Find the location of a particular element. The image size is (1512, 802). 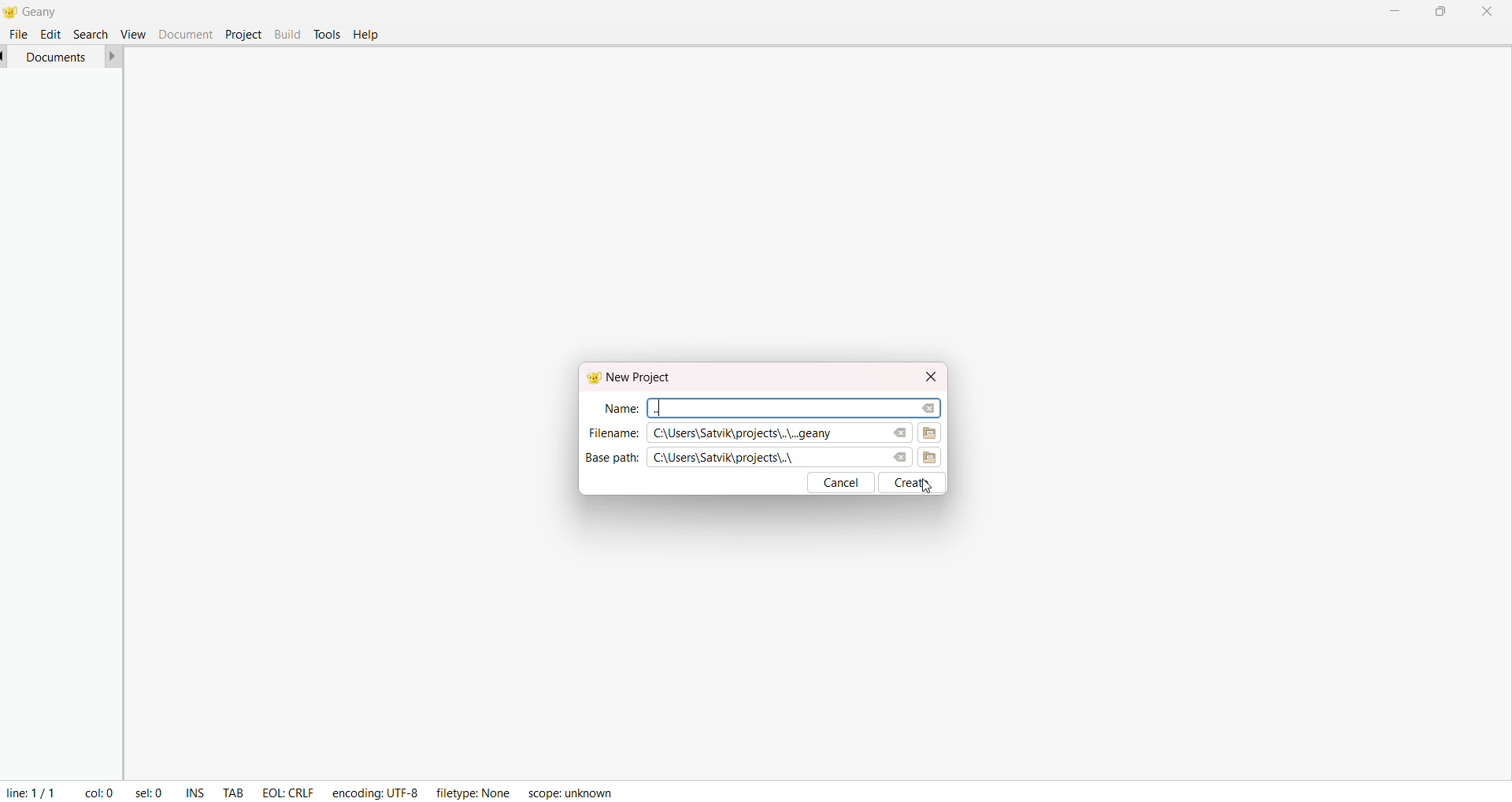

cursor is located at coordinates (927, 492).